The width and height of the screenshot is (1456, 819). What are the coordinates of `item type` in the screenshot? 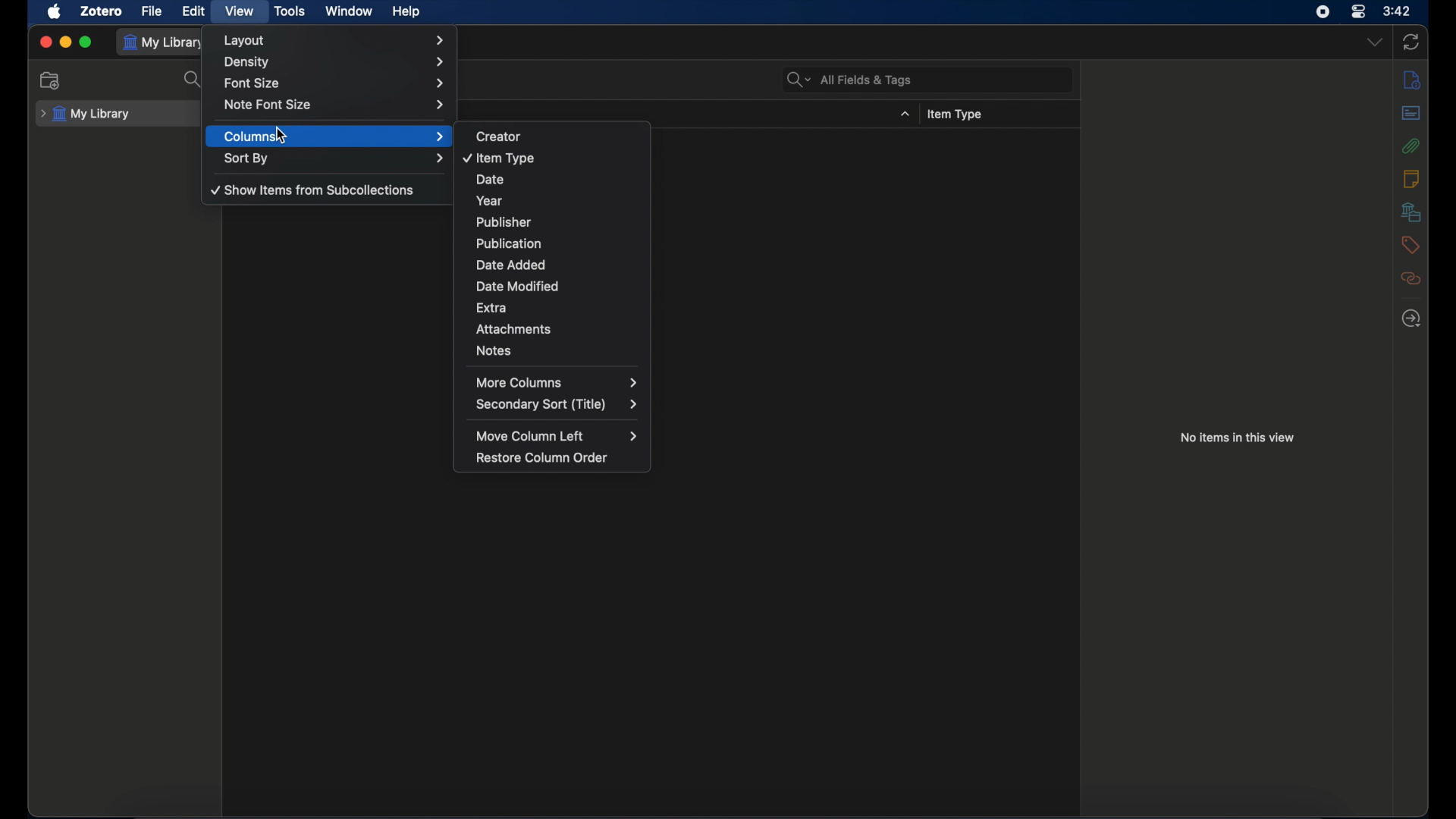 It's located at (956, 114).